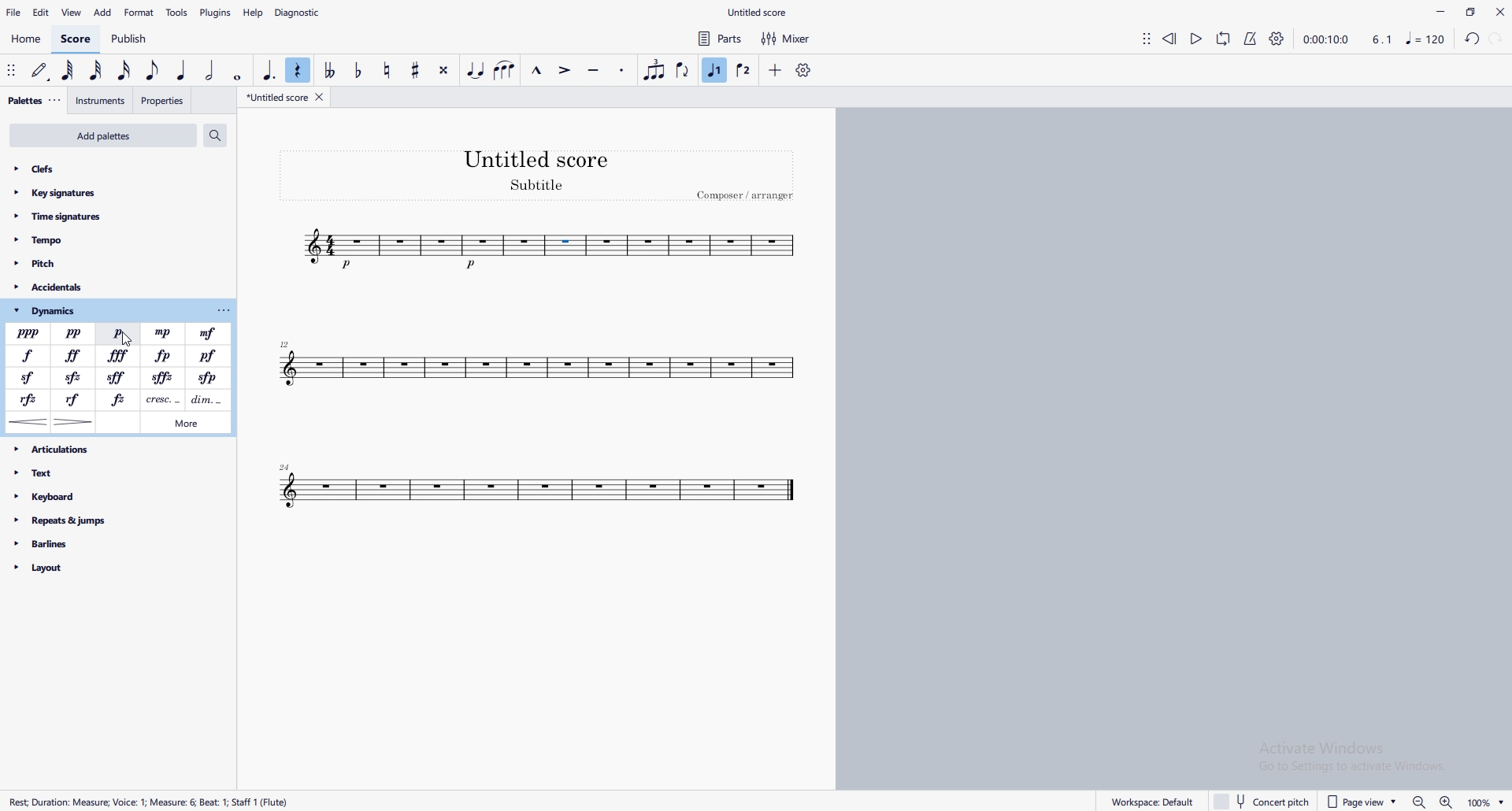 The image size is (1512, 811). I want to click on rinforzando, so click(76, 399).